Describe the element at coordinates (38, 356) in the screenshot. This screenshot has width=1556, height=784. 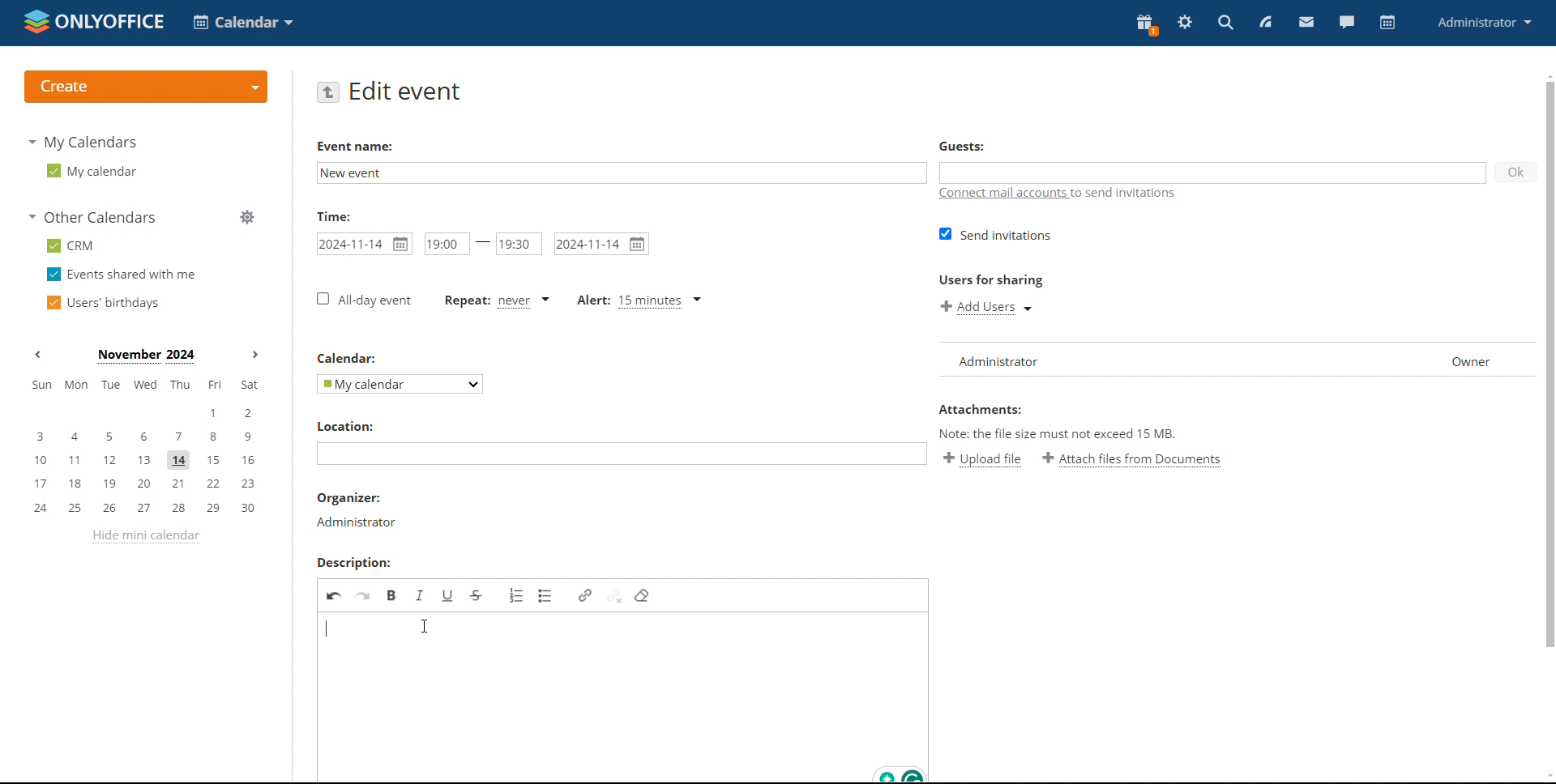
I see `previous month` at that location.